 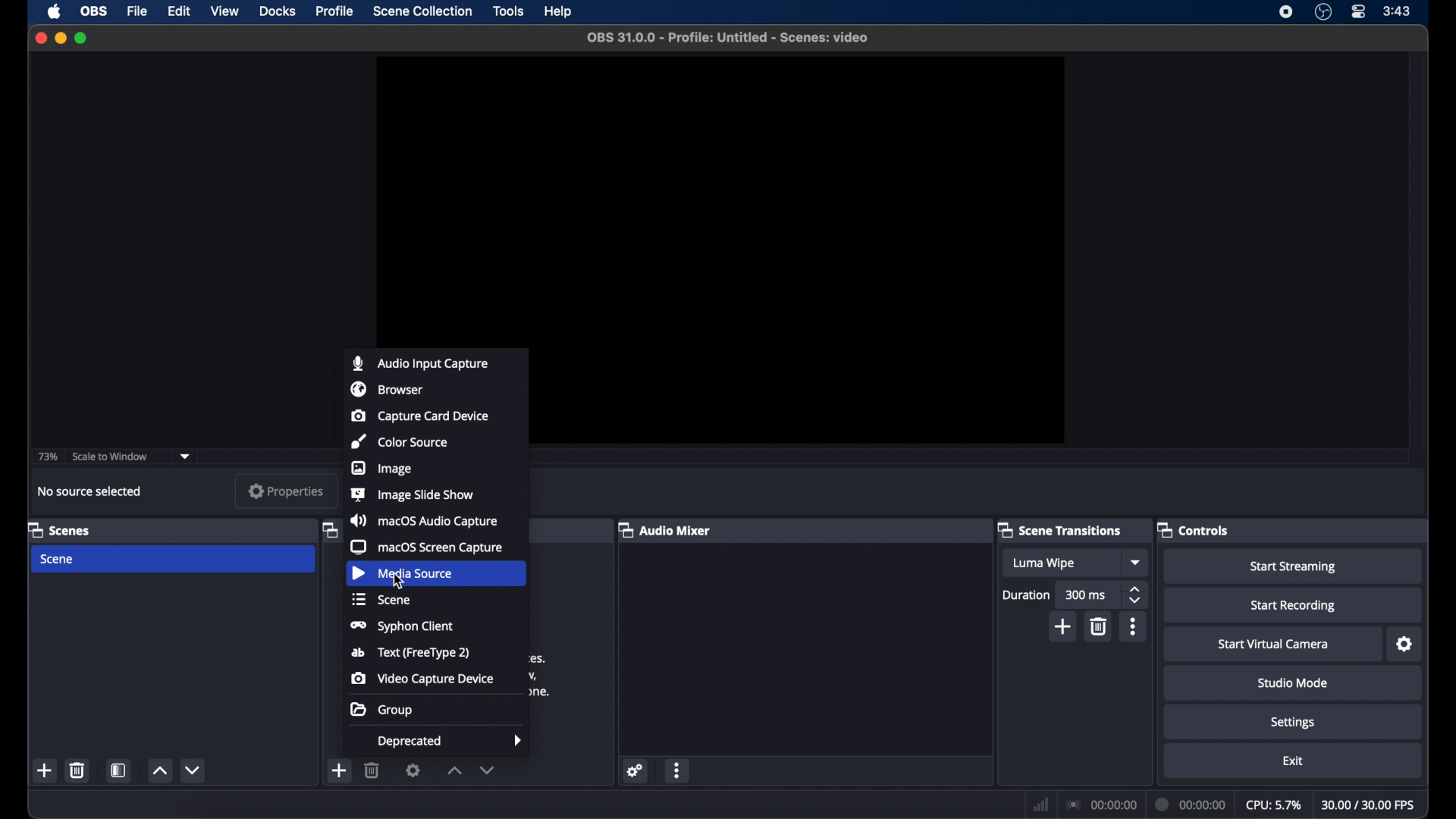 I want to click on dropdown, so click(x=1137, y=562).